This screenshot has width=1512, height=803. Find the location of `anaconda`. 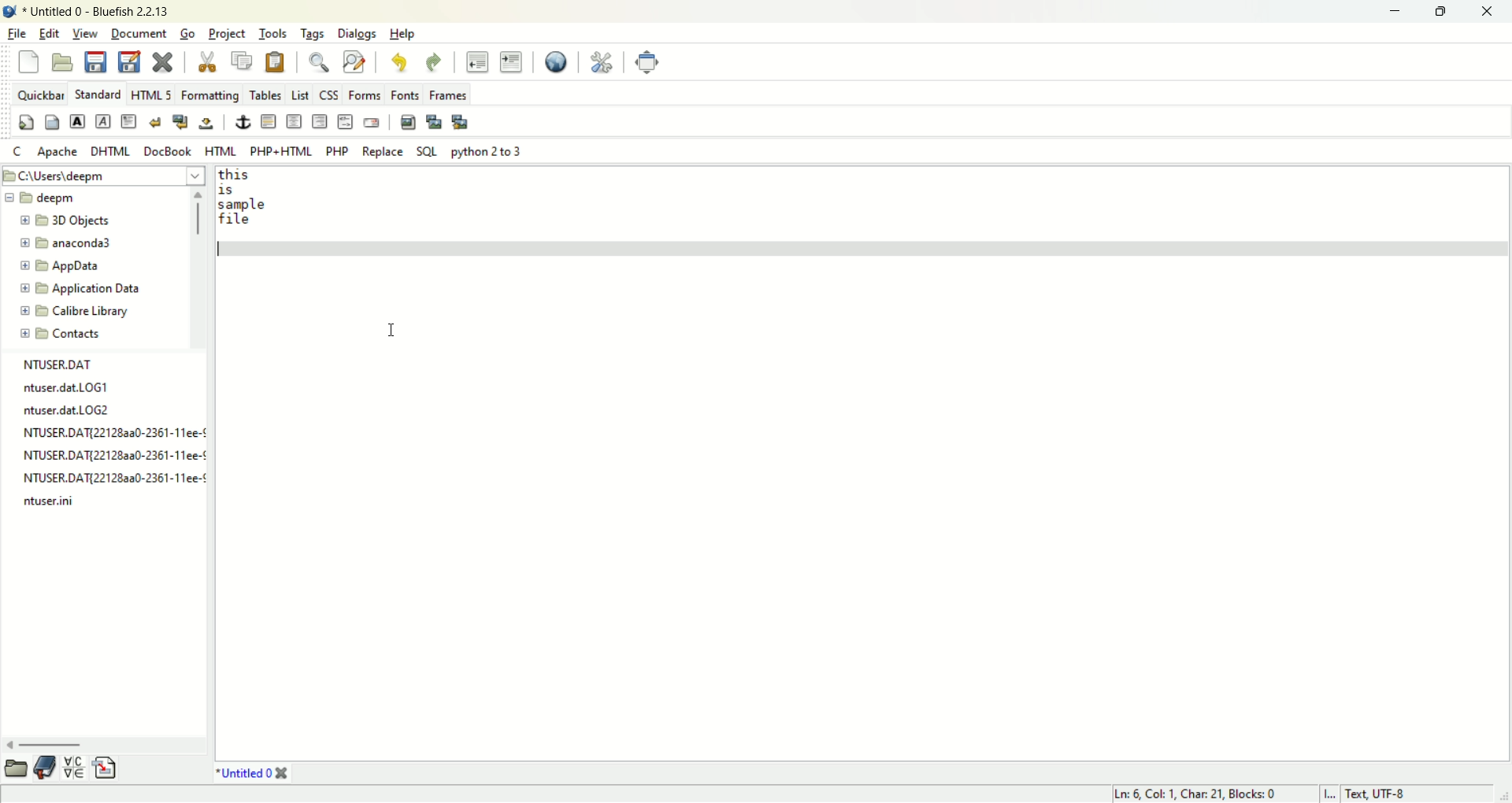

anaconda is located at coordinates (72, 243).